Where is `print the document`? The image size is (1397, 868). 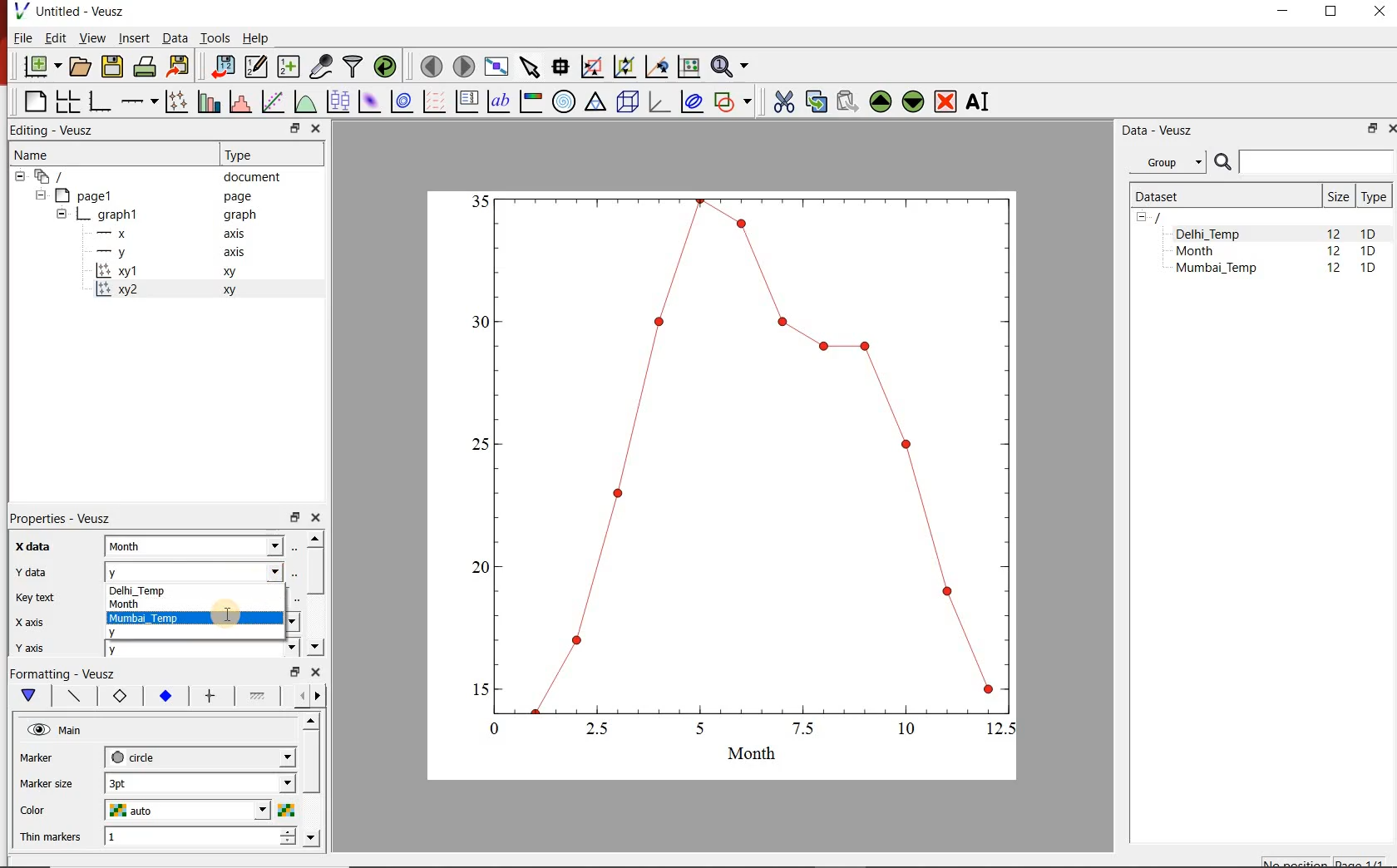
print the document is located at coordinates (145, 67).